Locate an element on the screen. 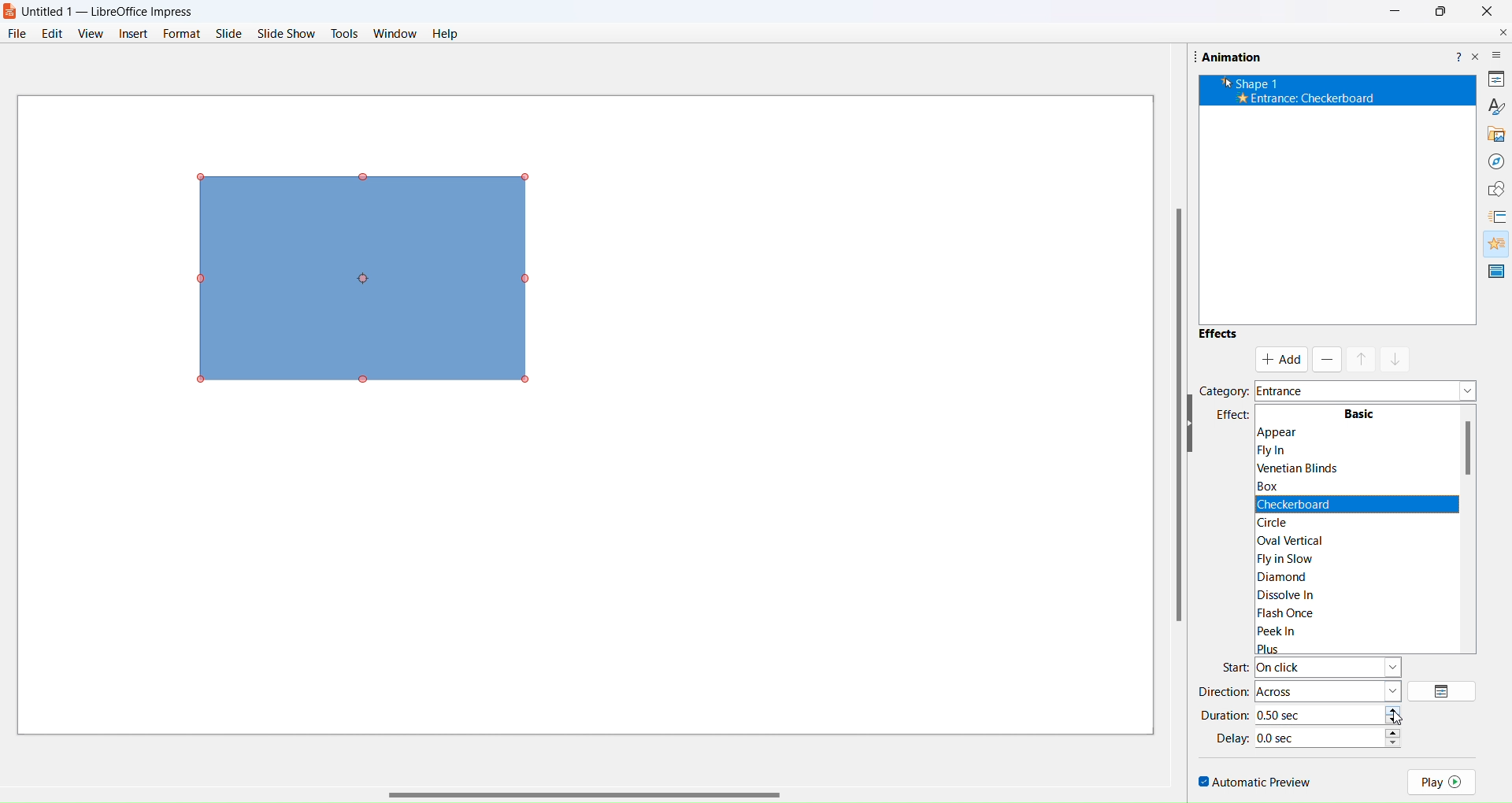 This screenshot has width=1512, height=803. Dissolve In is located at coordinates (1296, 593).